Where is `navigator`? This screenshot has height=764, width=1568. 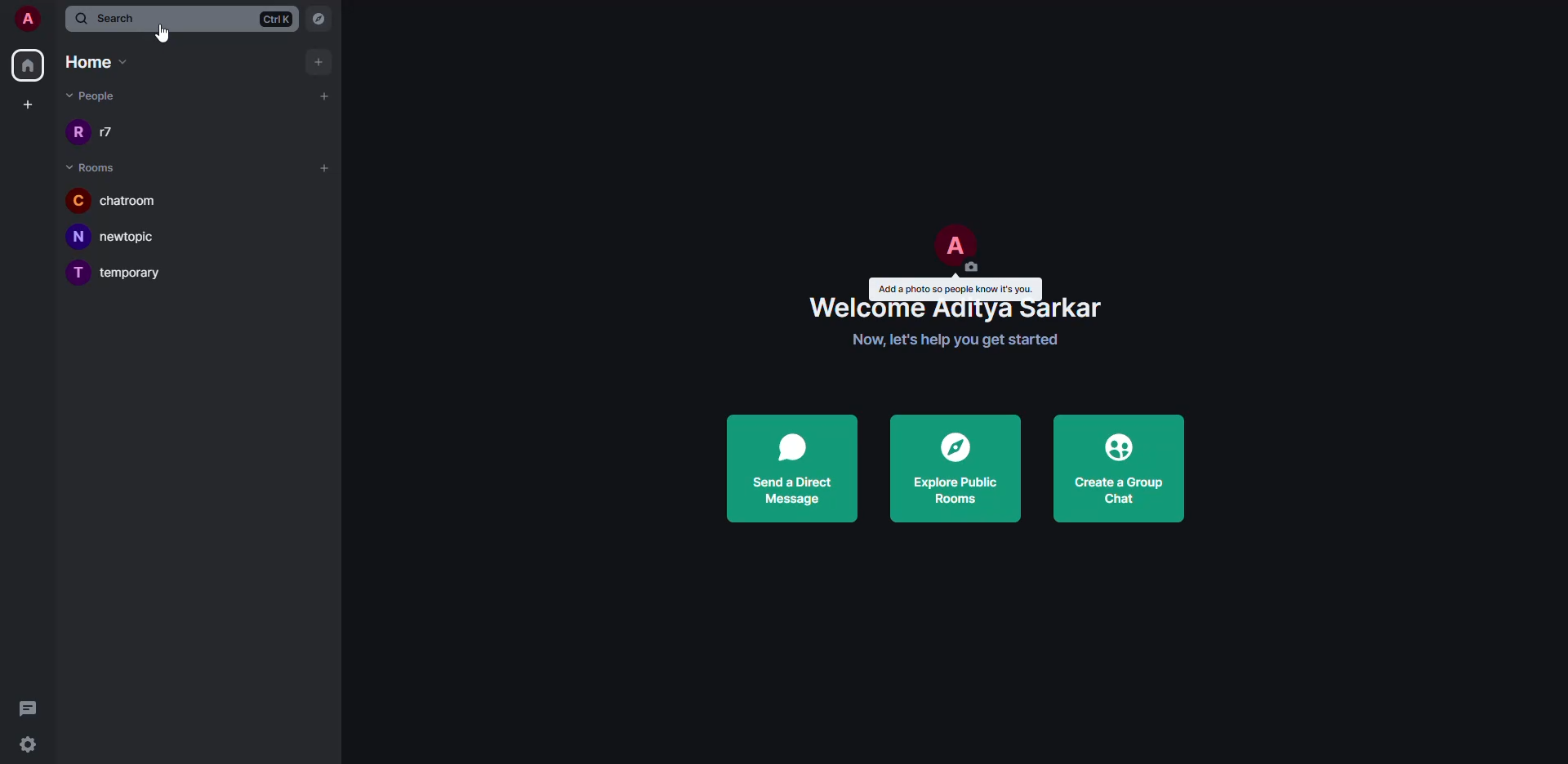
navigator is located at coordinates (321, 20).